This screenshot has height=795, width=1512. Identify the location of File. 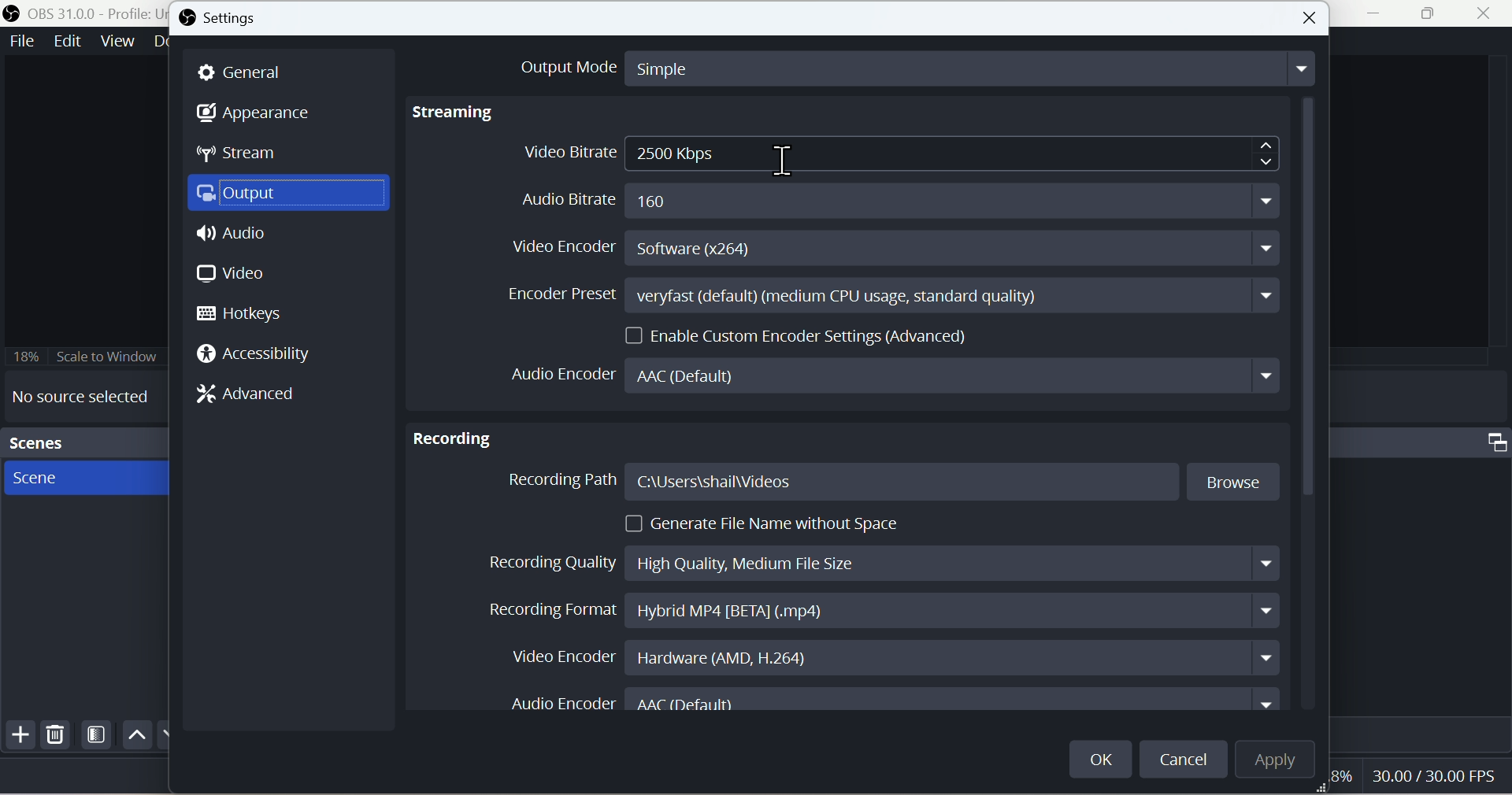
(20, 42).